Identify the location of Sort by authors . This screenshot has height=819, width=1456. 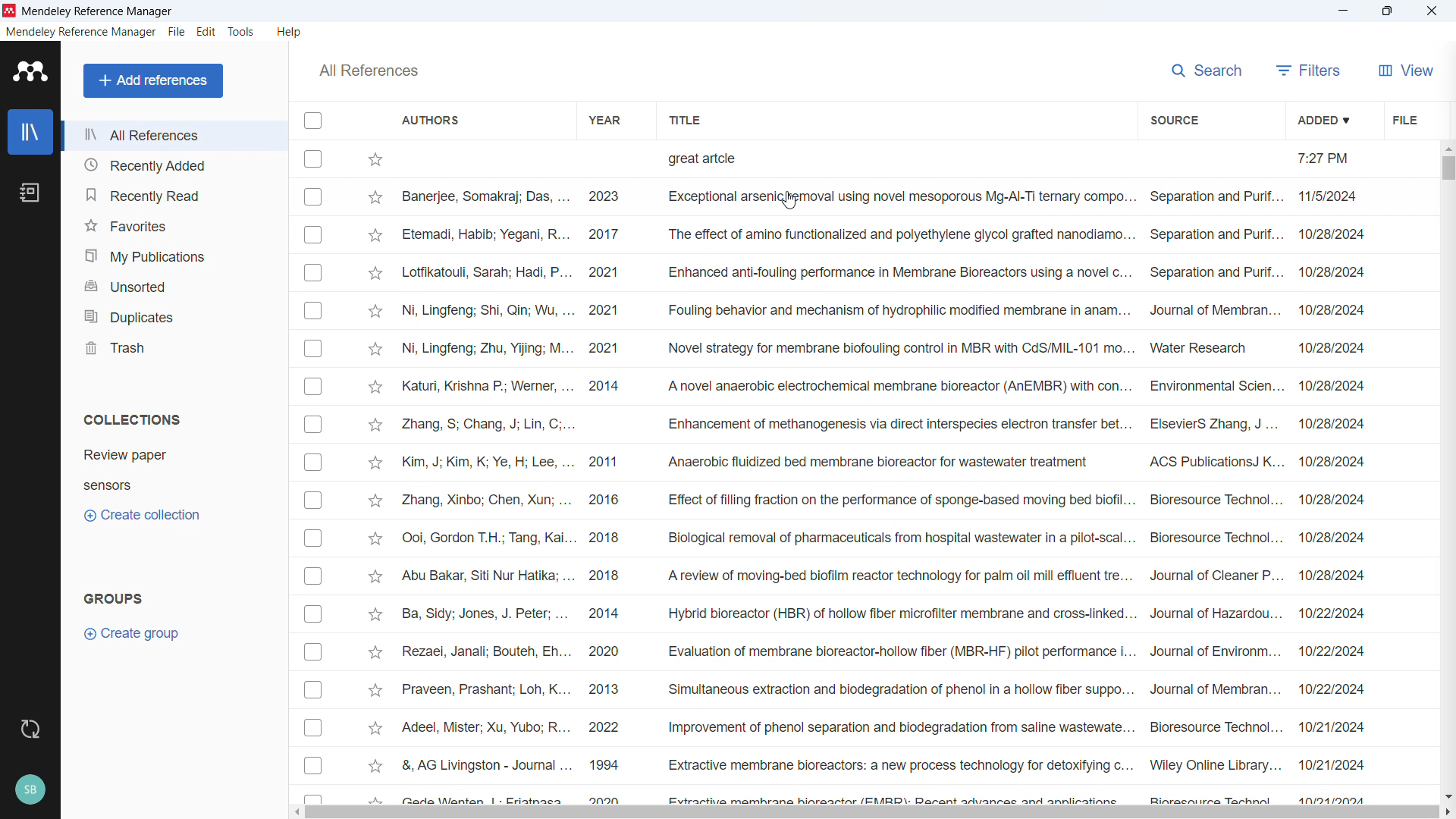
(431, 119).